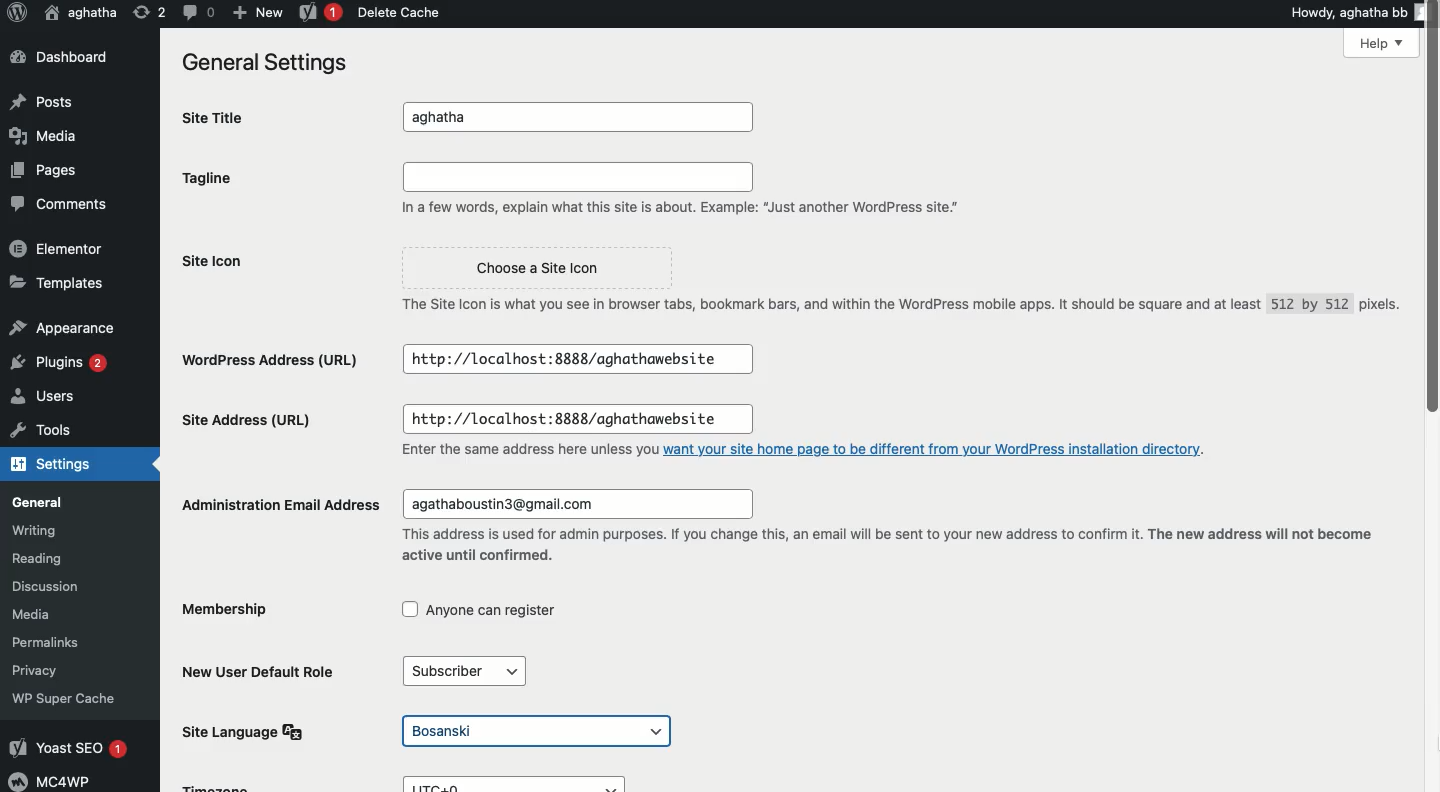 This screenshot has width=1440, height=792. I want to click on Comments, so click(54, 201).